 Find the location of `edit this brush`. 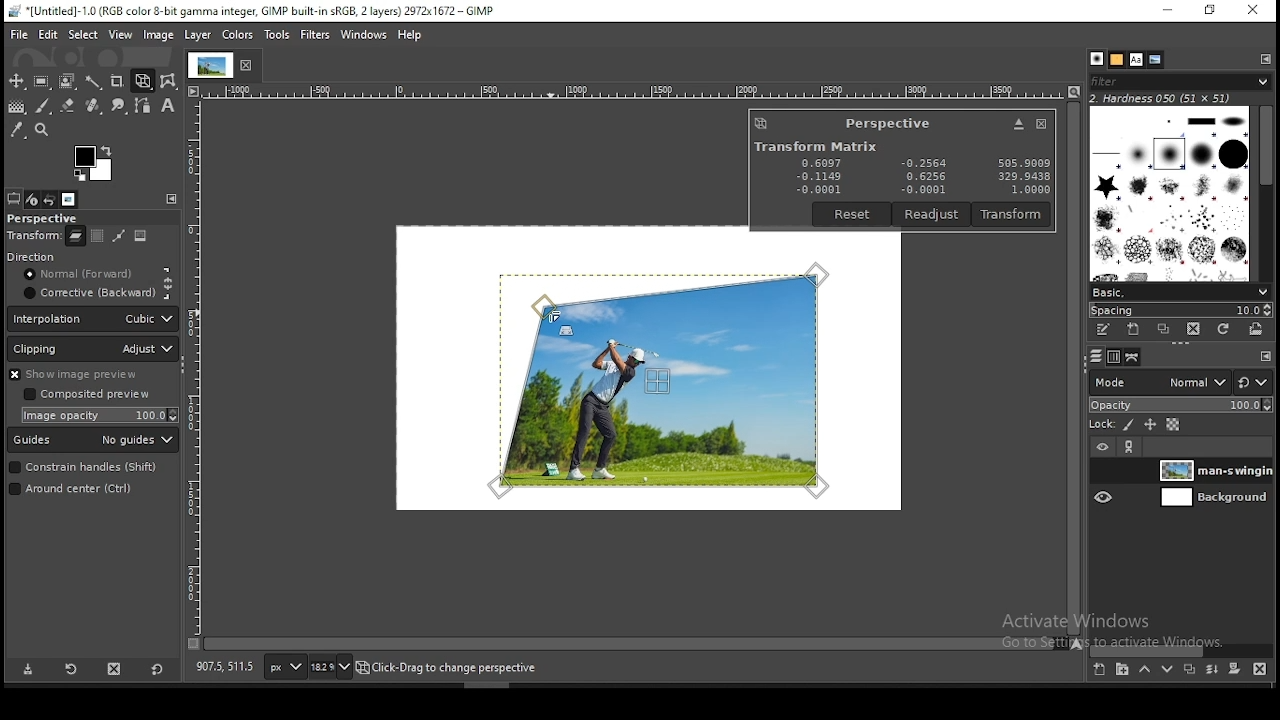

edit this brush is located at coordinates (1105, 333).